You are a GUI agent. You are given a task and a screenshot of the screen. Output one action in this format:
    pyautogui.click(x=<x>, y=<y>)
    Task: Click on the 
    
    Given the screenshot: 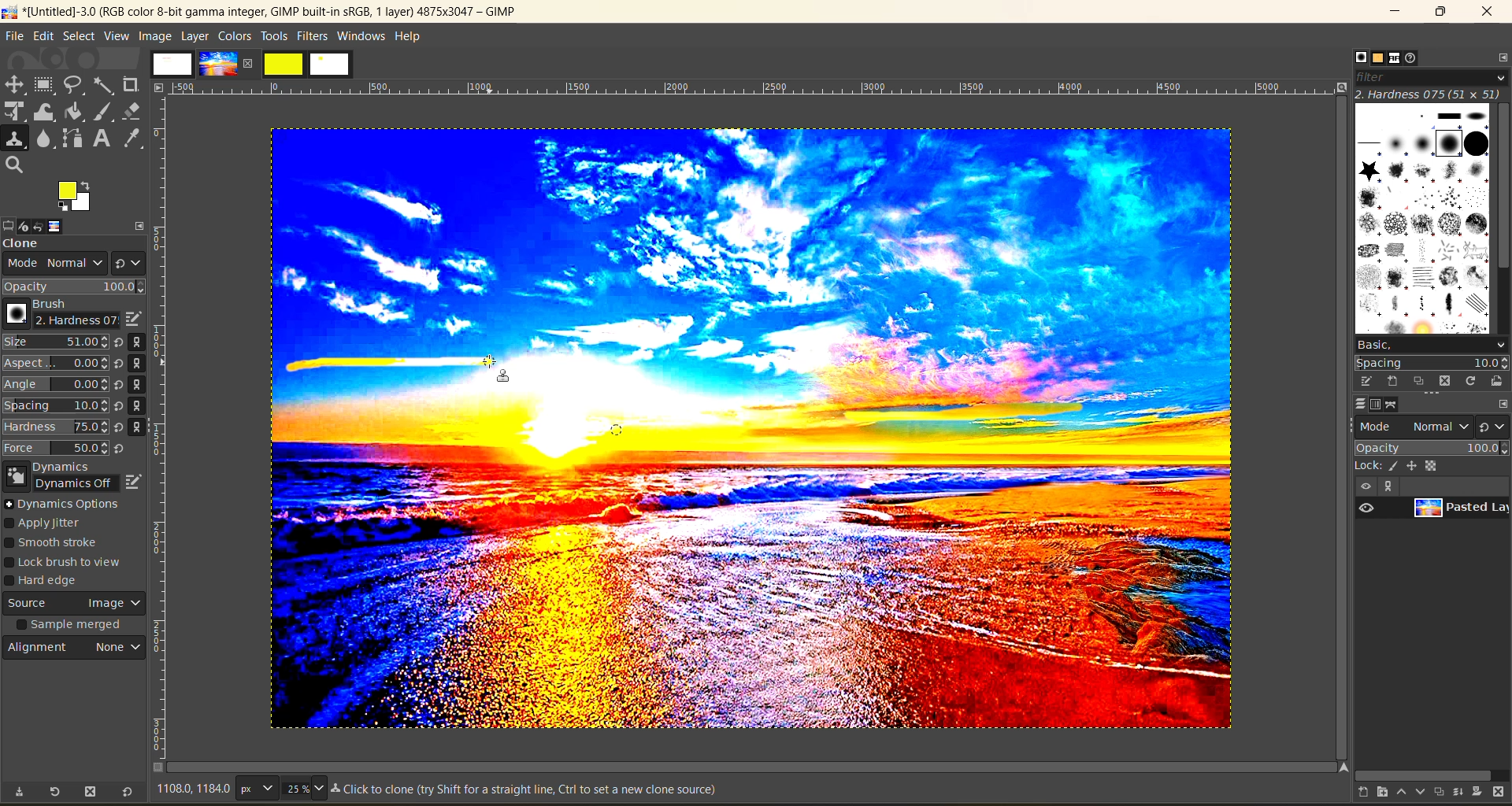 What is the action you would take?
    pyautogui.click(x=1340, y=767)
    